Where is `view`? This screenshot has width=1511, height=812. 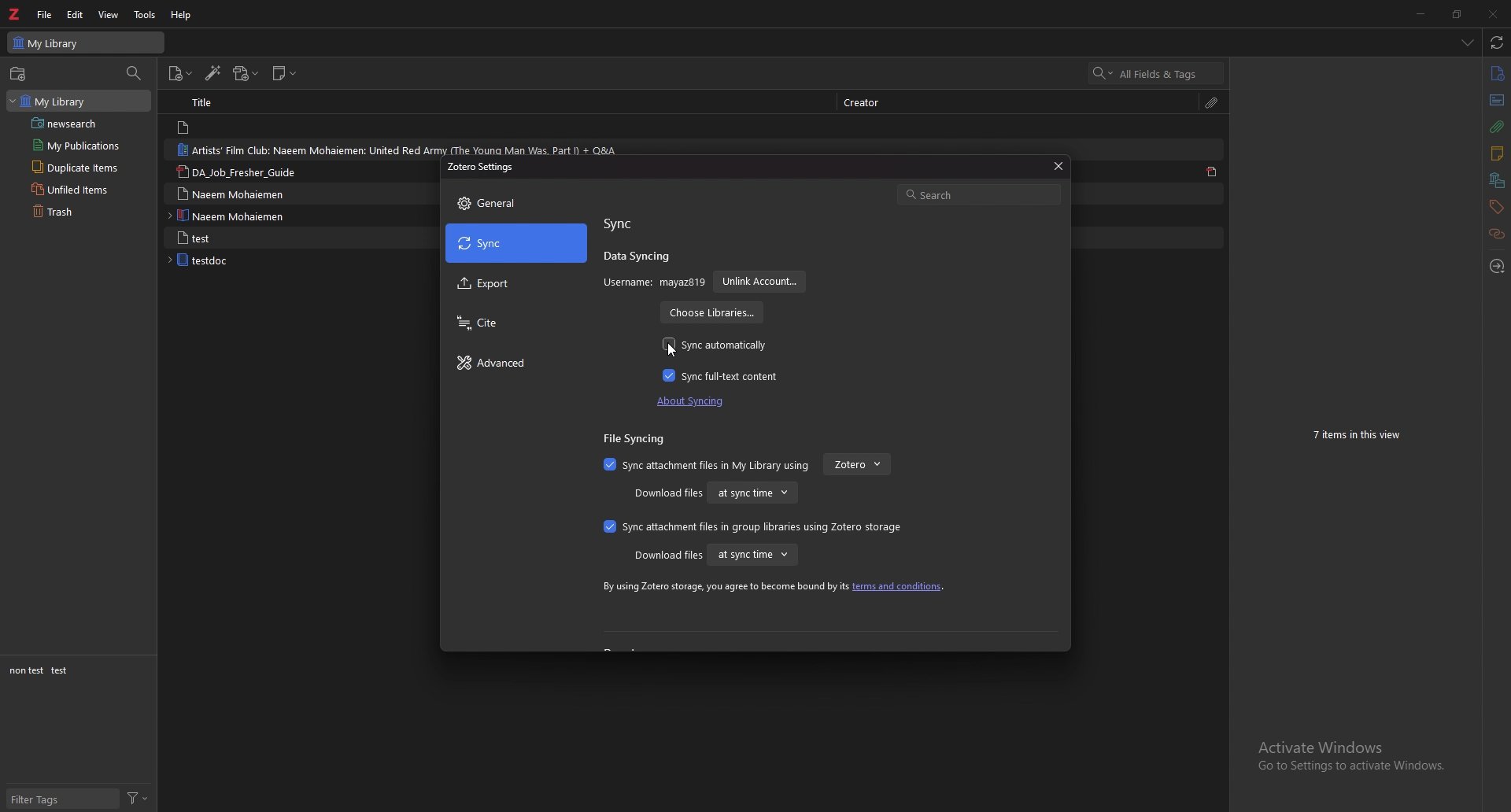 view is located at coordinates (109, 15).